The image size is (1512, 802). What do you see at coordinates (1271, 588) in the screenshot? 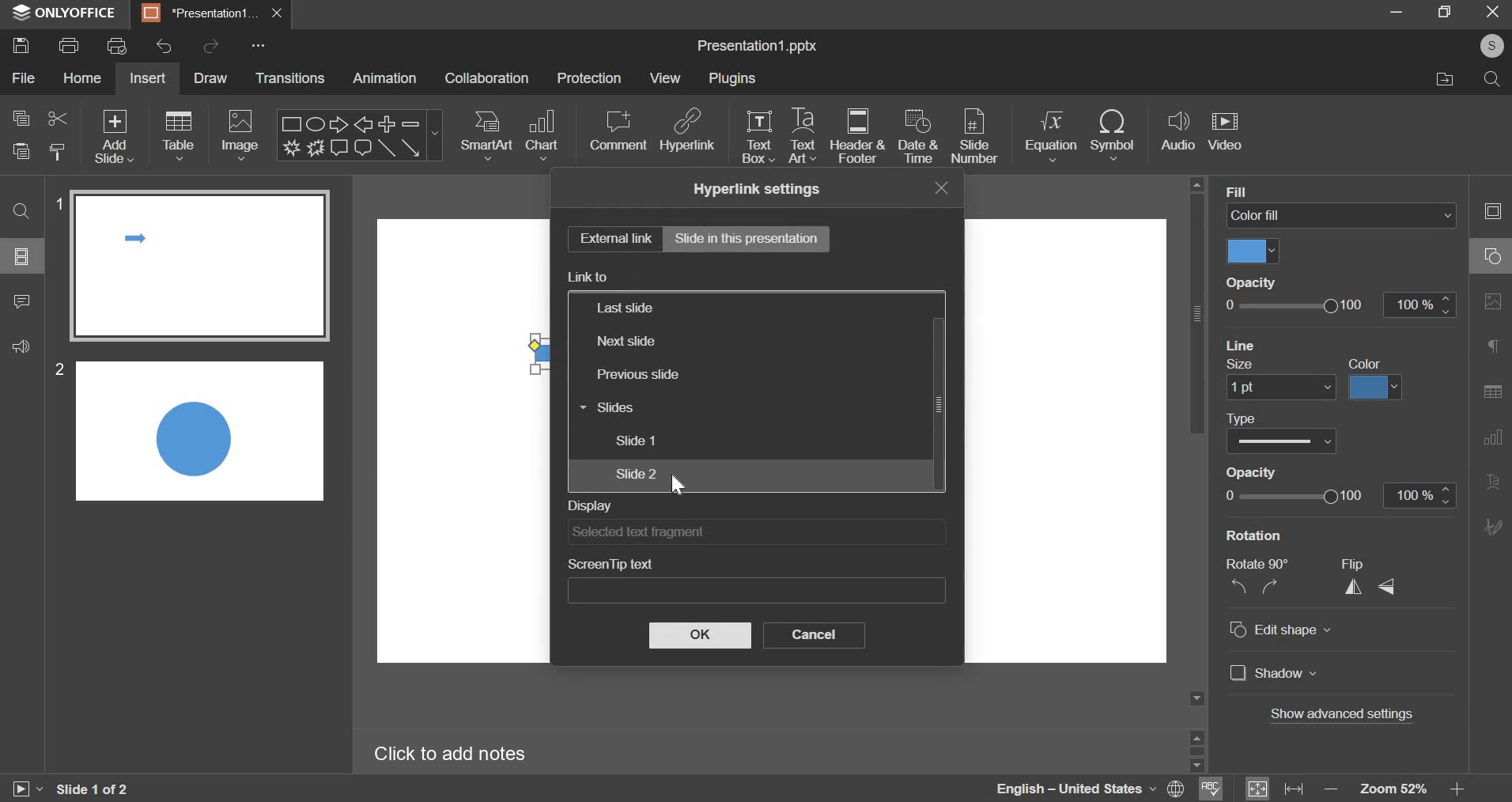
I see `rotate clockwise` at bounding box center [1271, 588].